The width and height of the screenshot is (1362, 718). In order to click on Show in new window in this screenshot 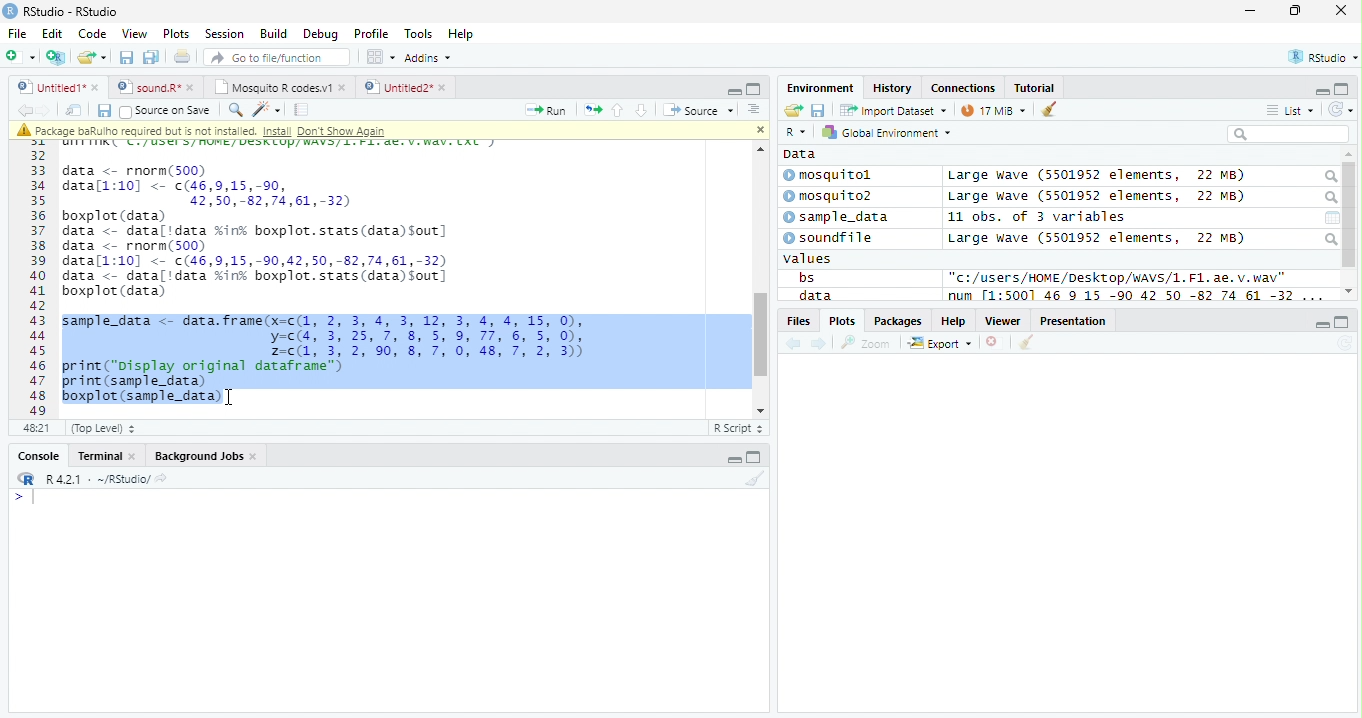, I will do `click(74, 111)`.